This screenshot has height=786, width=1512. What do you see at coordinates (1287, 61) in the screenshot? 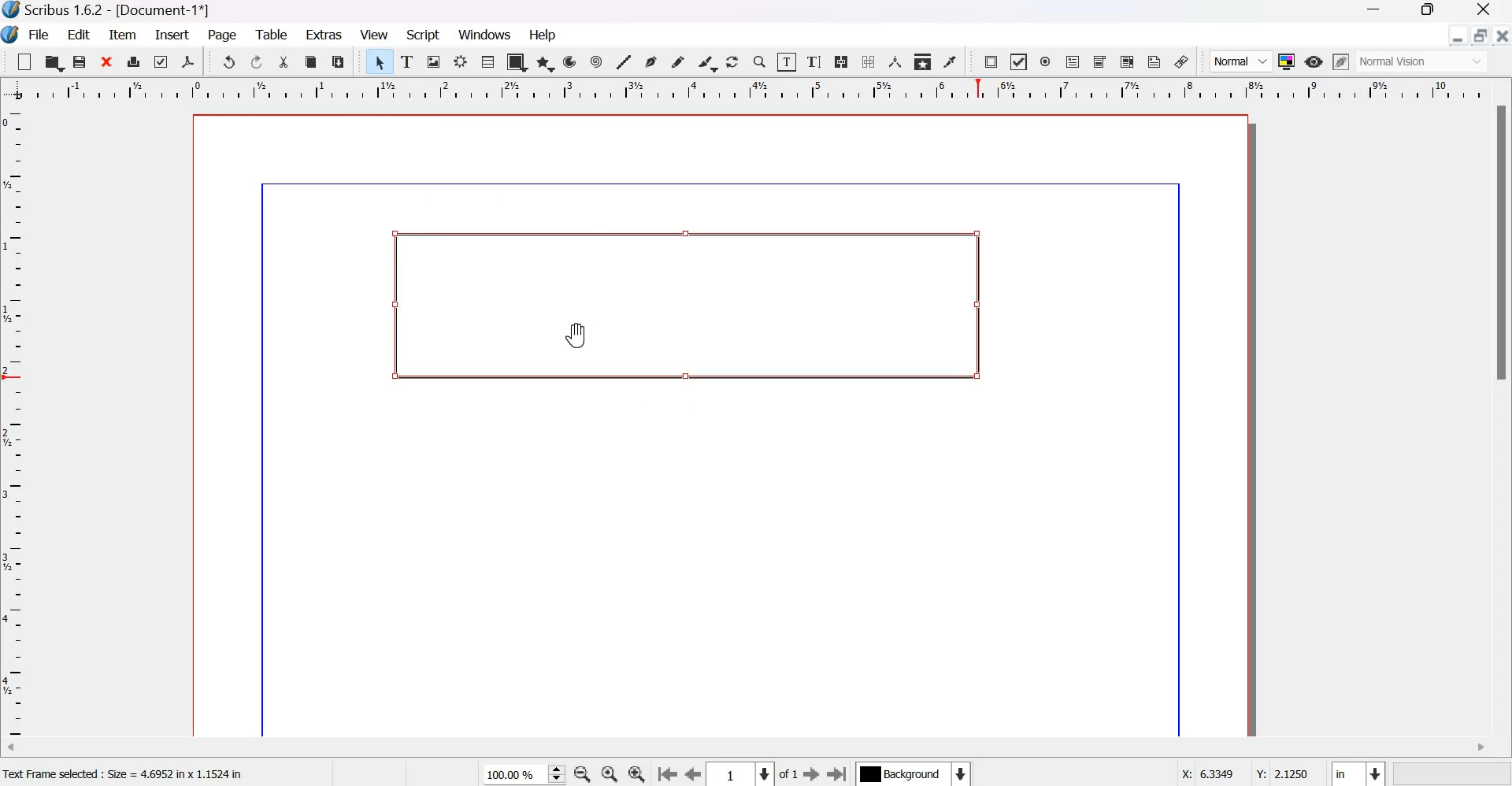
I see `Toggle Color Management System` at bounding box center [1287, 61].